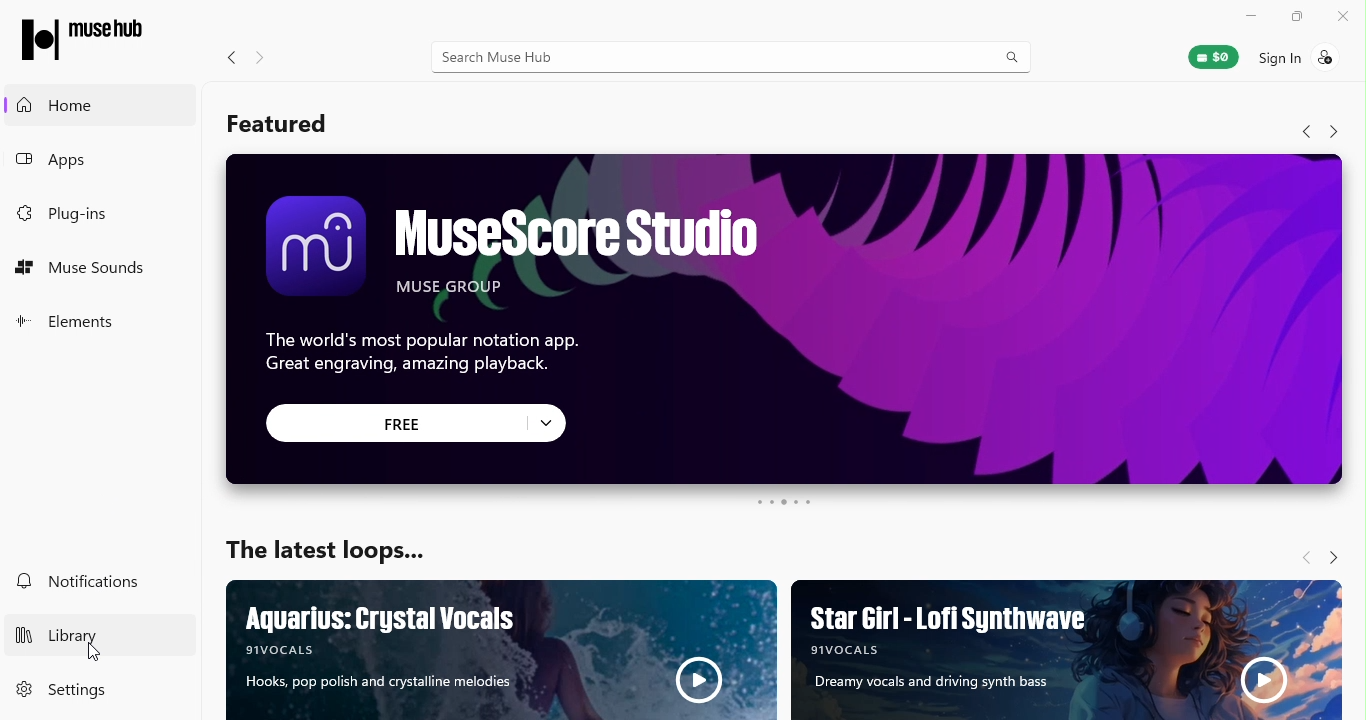 Image resolution: width=1366 pixels, height=720 pixels. What do you see at coordinates (785, 271) in the screenshot?
I see `Ad` at bounding box center [785, 271].